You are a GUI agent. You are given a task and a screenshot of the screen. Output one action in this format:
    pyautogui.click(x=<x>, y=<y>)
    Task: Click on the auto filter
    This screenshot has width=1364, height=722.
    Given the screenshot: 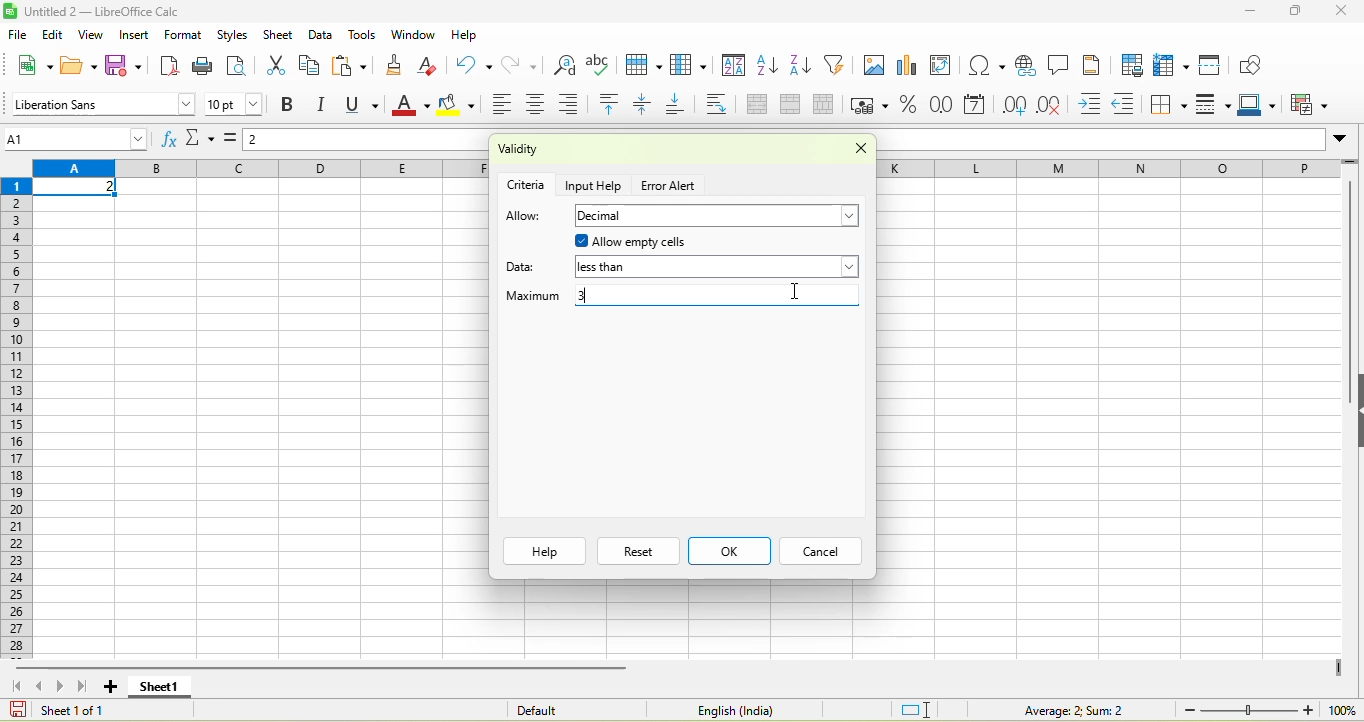 What is the action you would take?
    pyautogui.click(x=838, y=64)
    